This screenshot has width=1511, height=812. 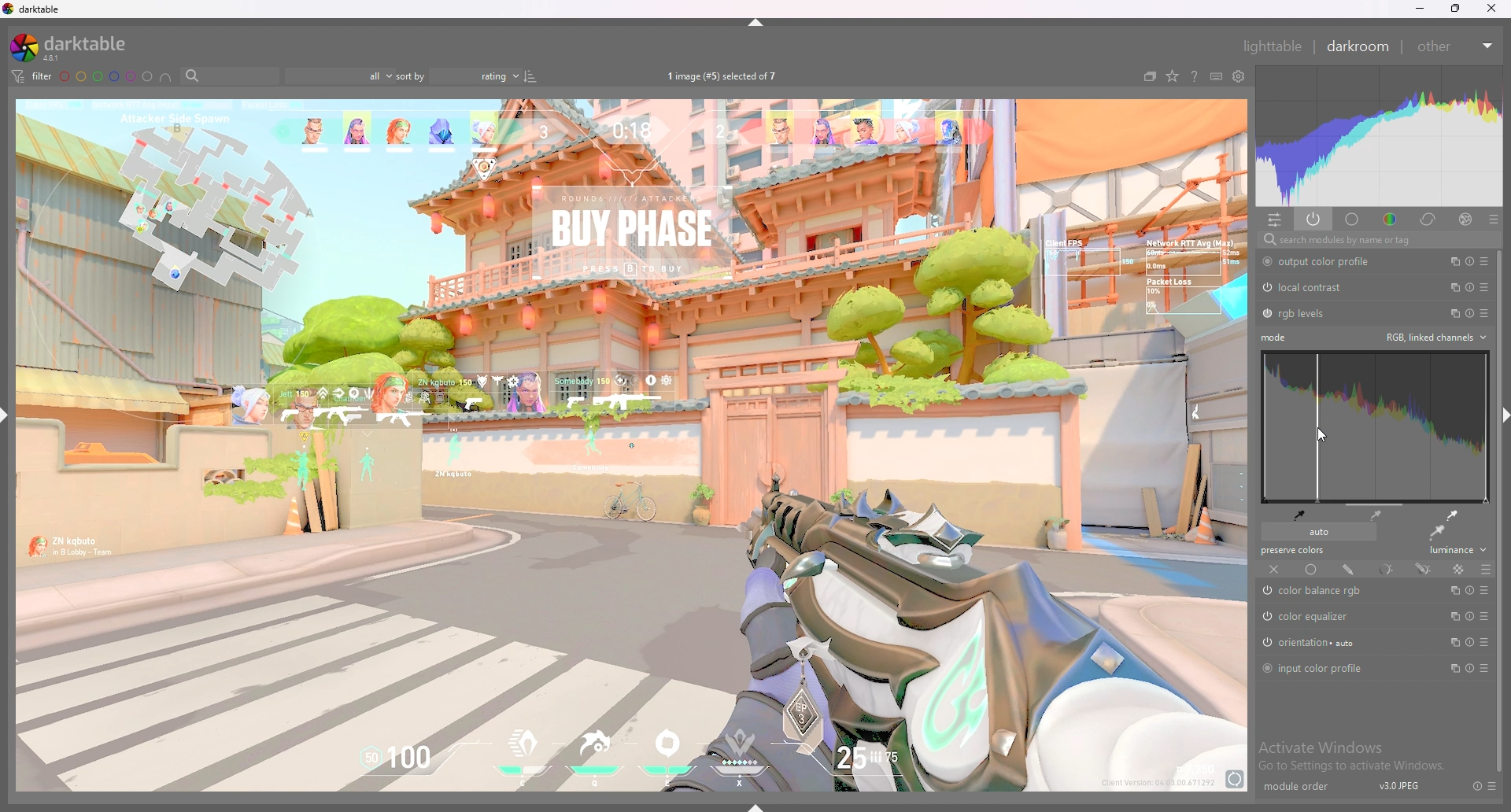 I want to click on off, so click(x=1275, y=570).